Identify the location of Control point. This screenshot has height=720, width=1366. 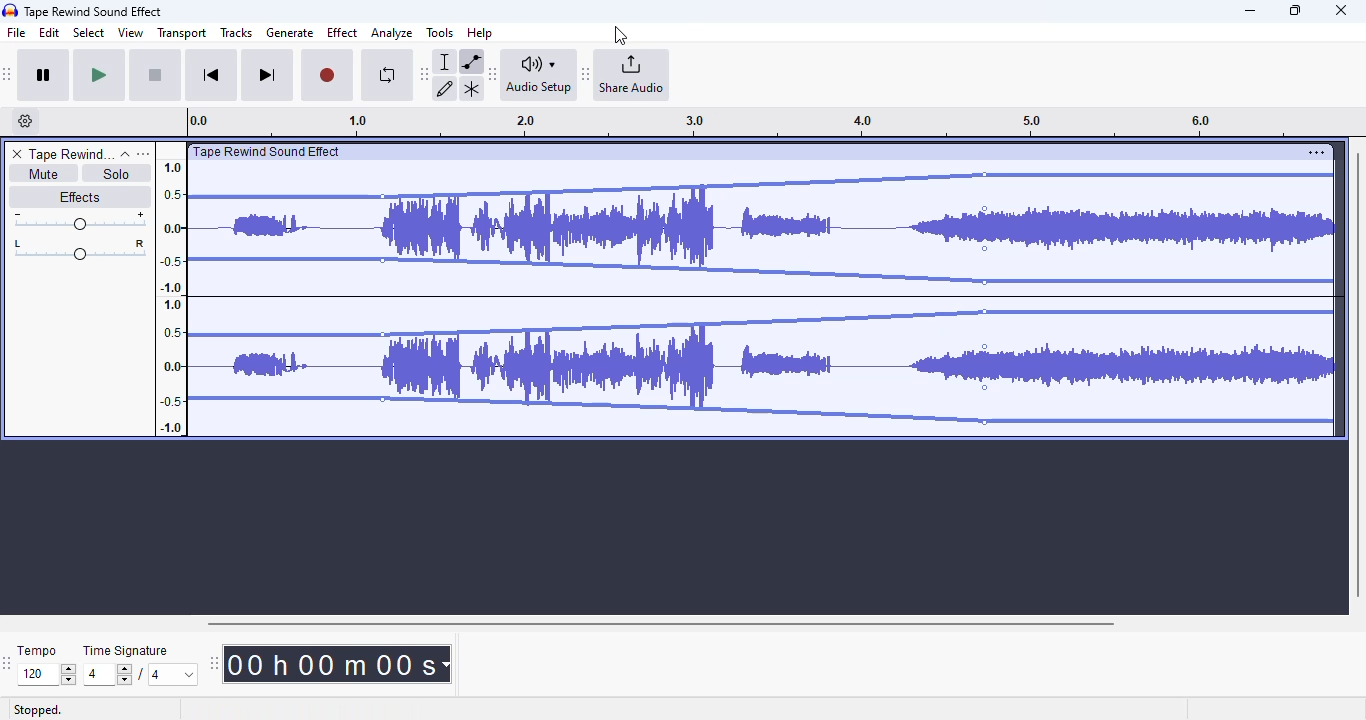
(985, 248).